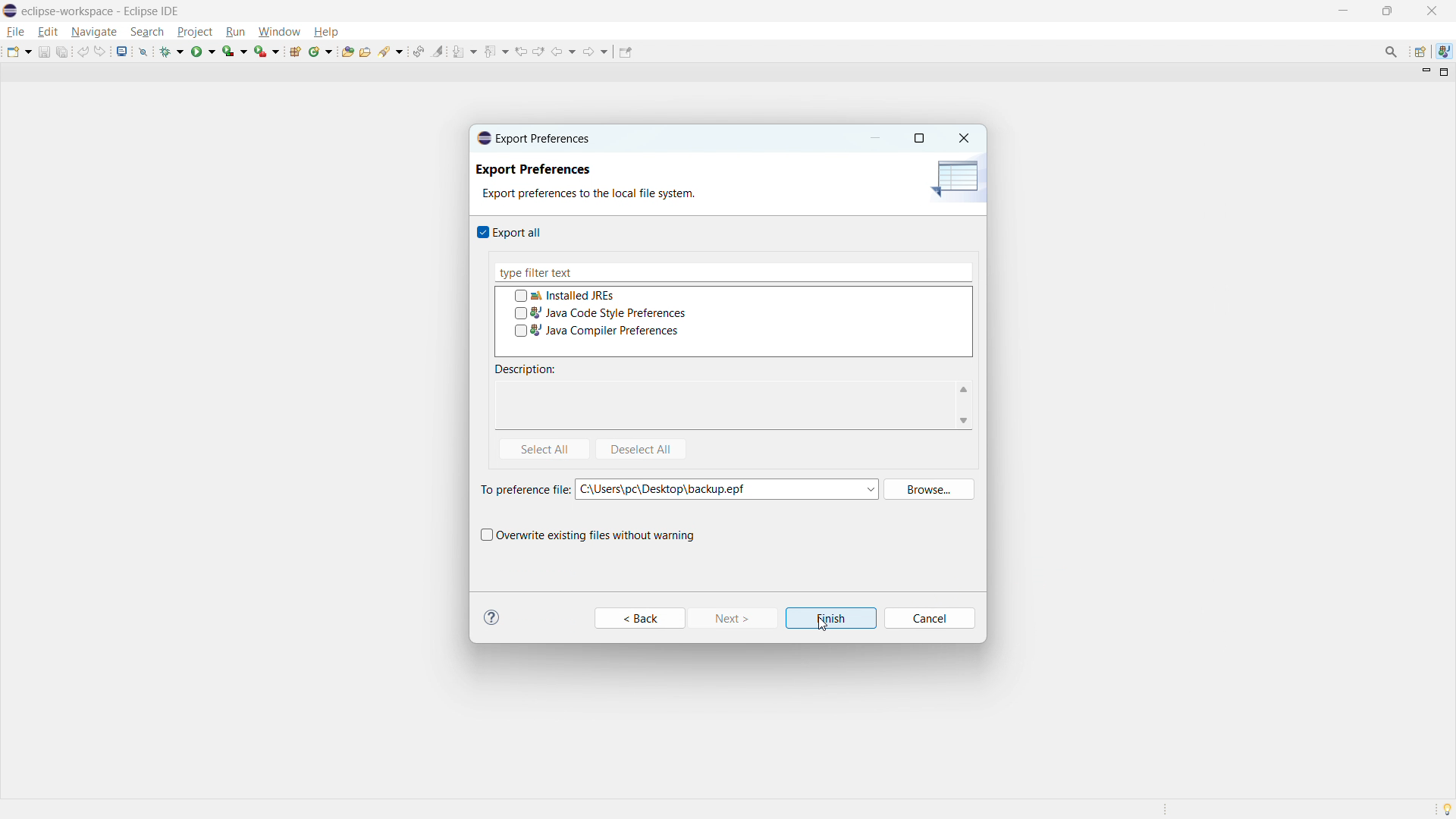  I want to click on Finish, so click(833, 618).